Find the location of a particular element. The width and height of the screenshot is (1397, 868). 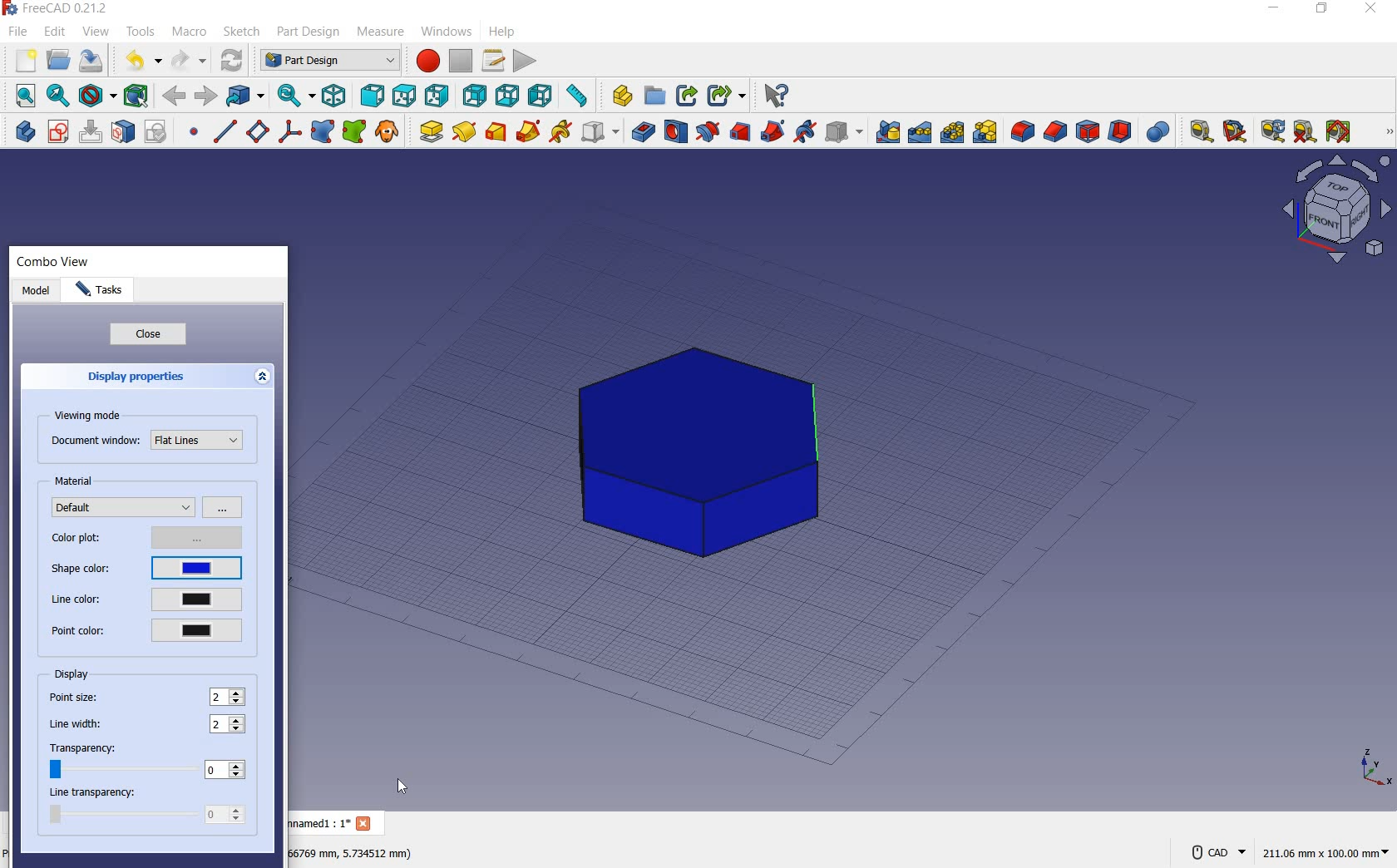

subtractive pipe is located at coordinates (773, 132).